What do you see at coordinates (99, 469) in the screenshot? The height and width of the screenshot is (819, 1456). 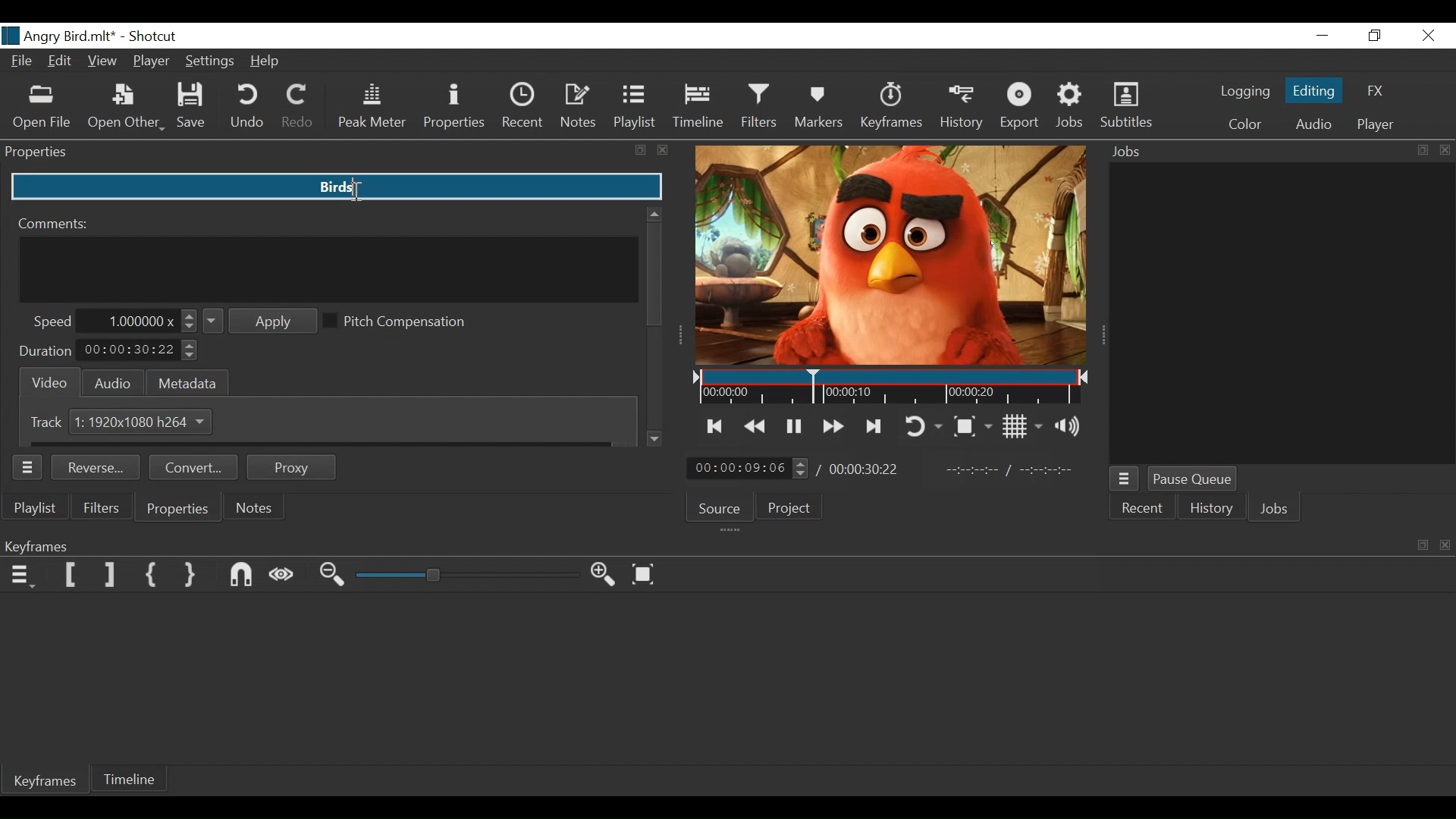 I see `Reverse` at bounding box center [99, 469].